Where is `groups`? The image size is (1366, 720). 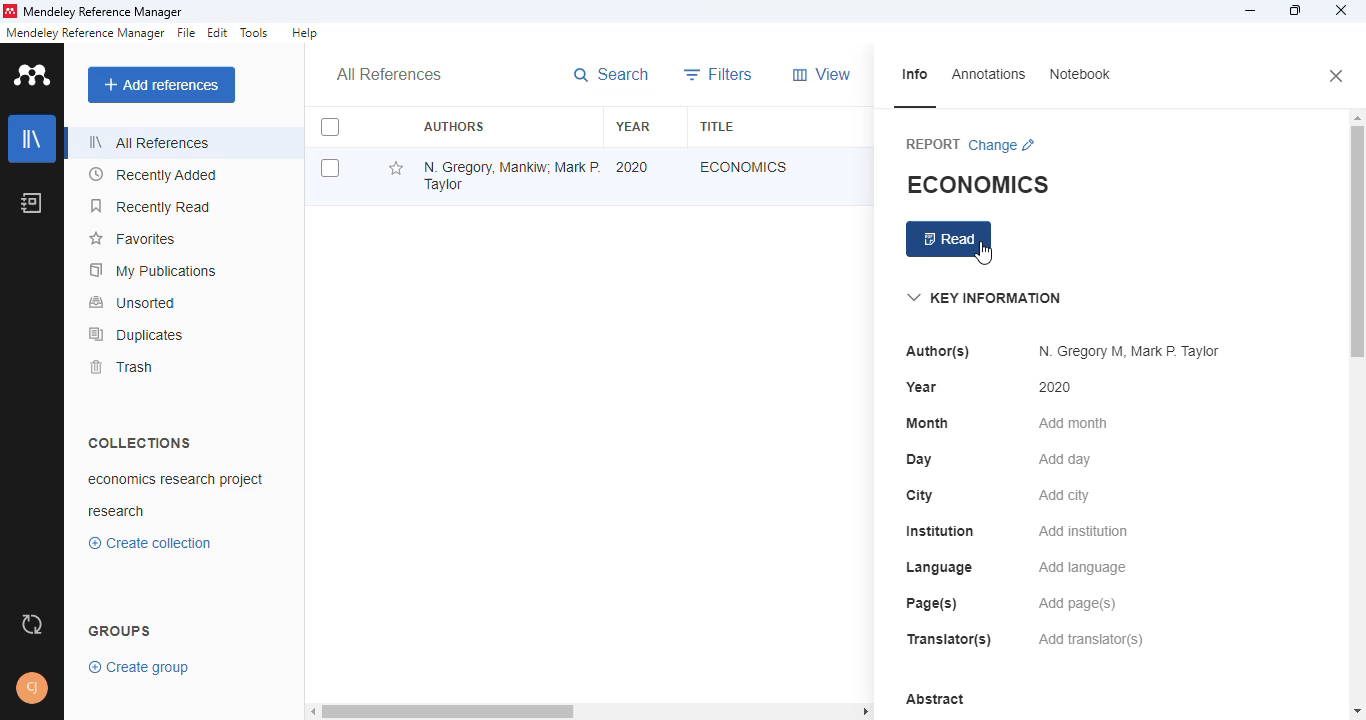
groups is located at coordinates (120, 631).